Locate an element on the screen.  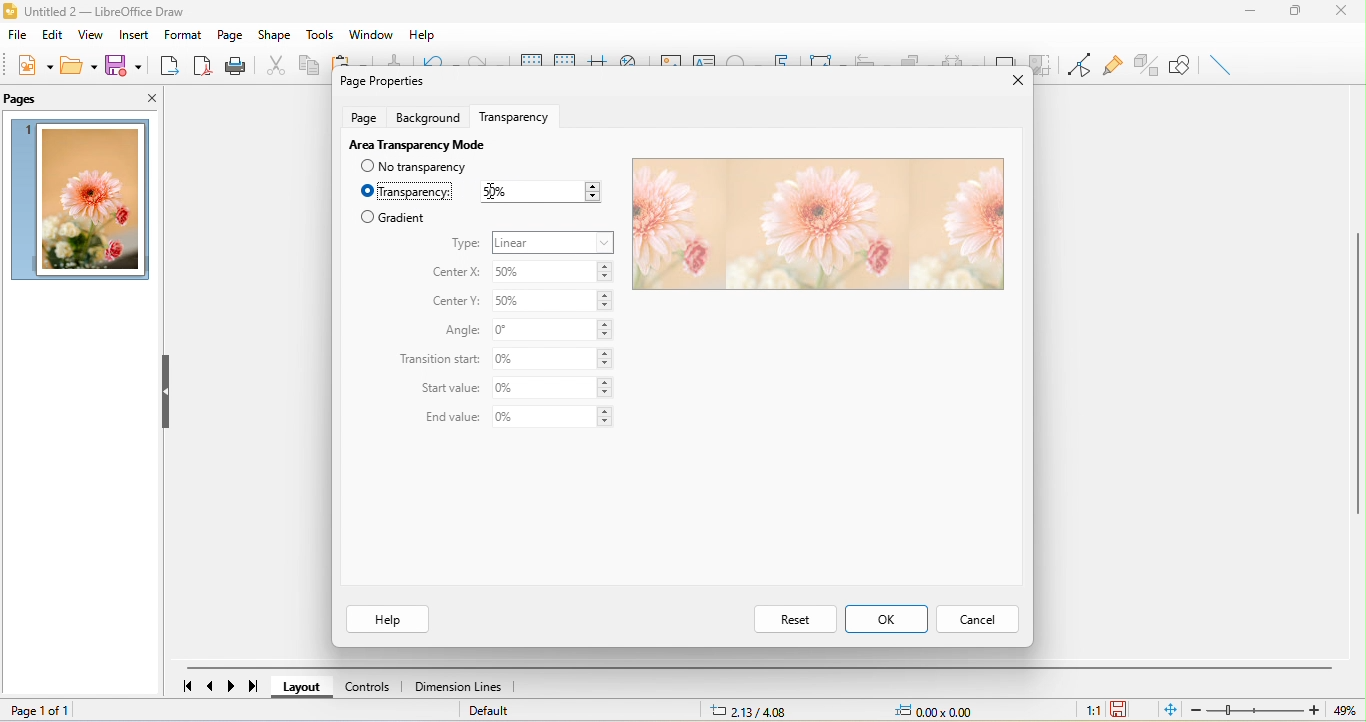
close is located at coordinates (1346, 14).